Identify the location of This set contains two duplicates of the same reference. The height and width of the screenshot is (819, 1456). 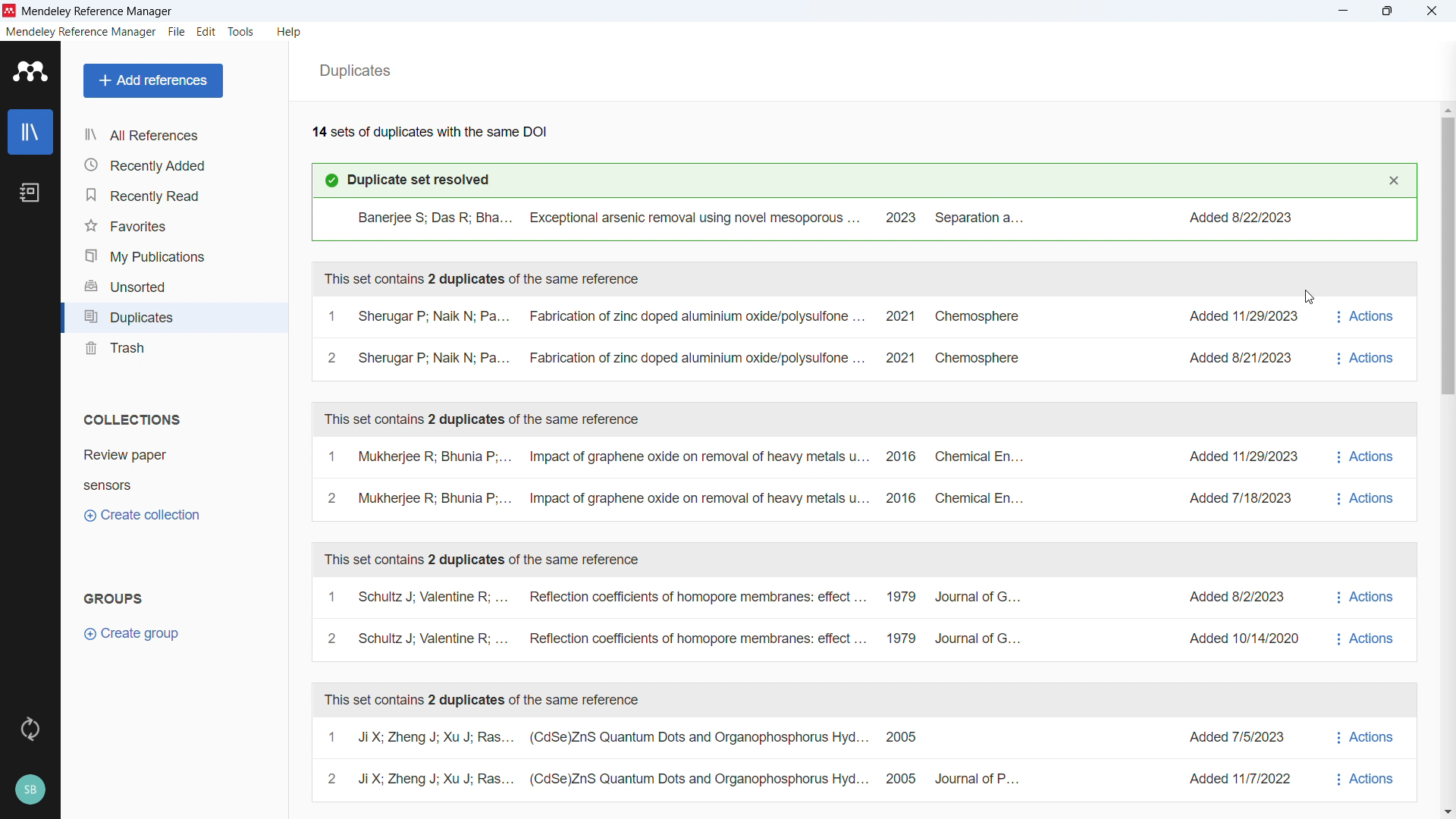
(484, 699).